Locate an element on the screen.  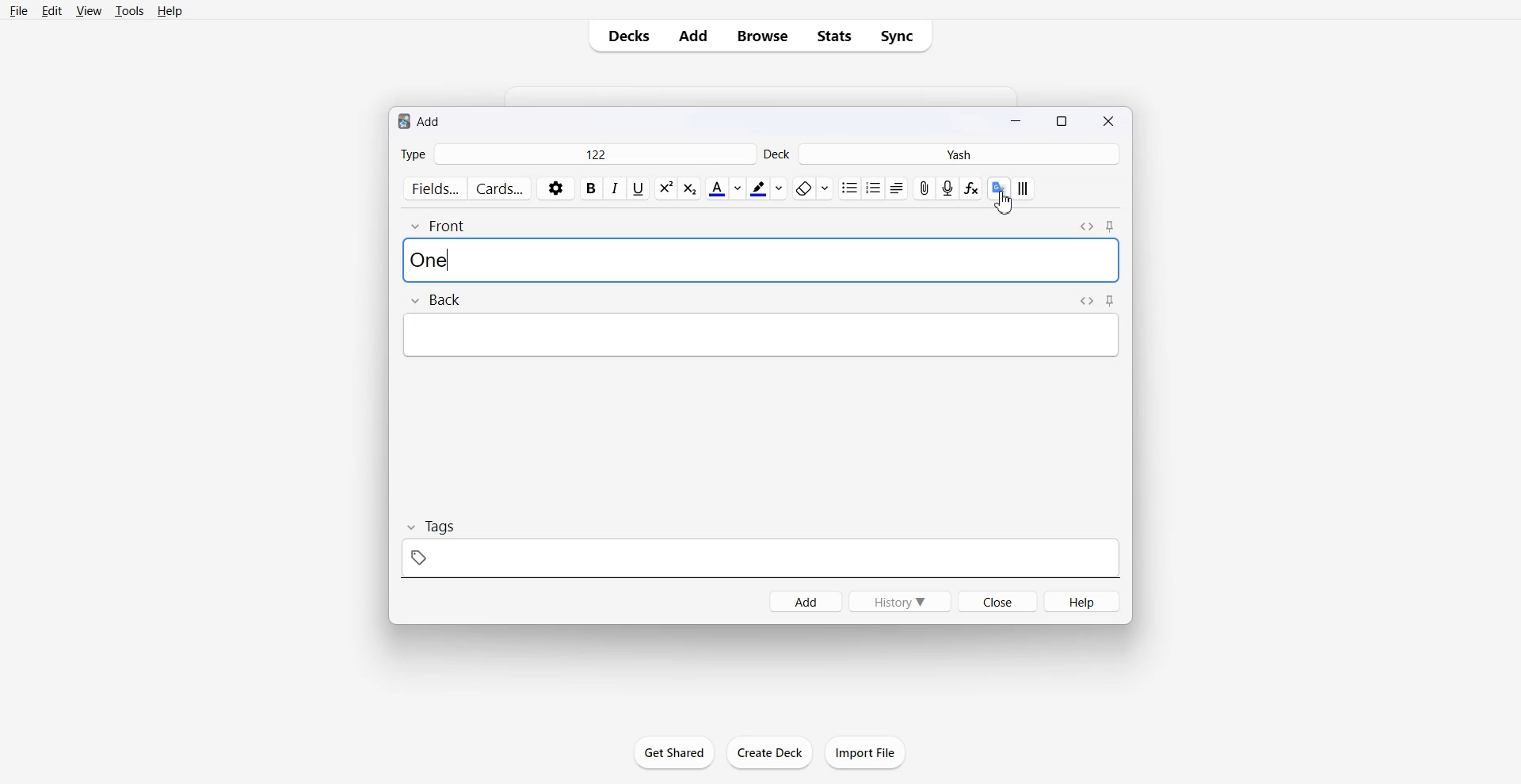
Tools is located at coordinates (129, 10).